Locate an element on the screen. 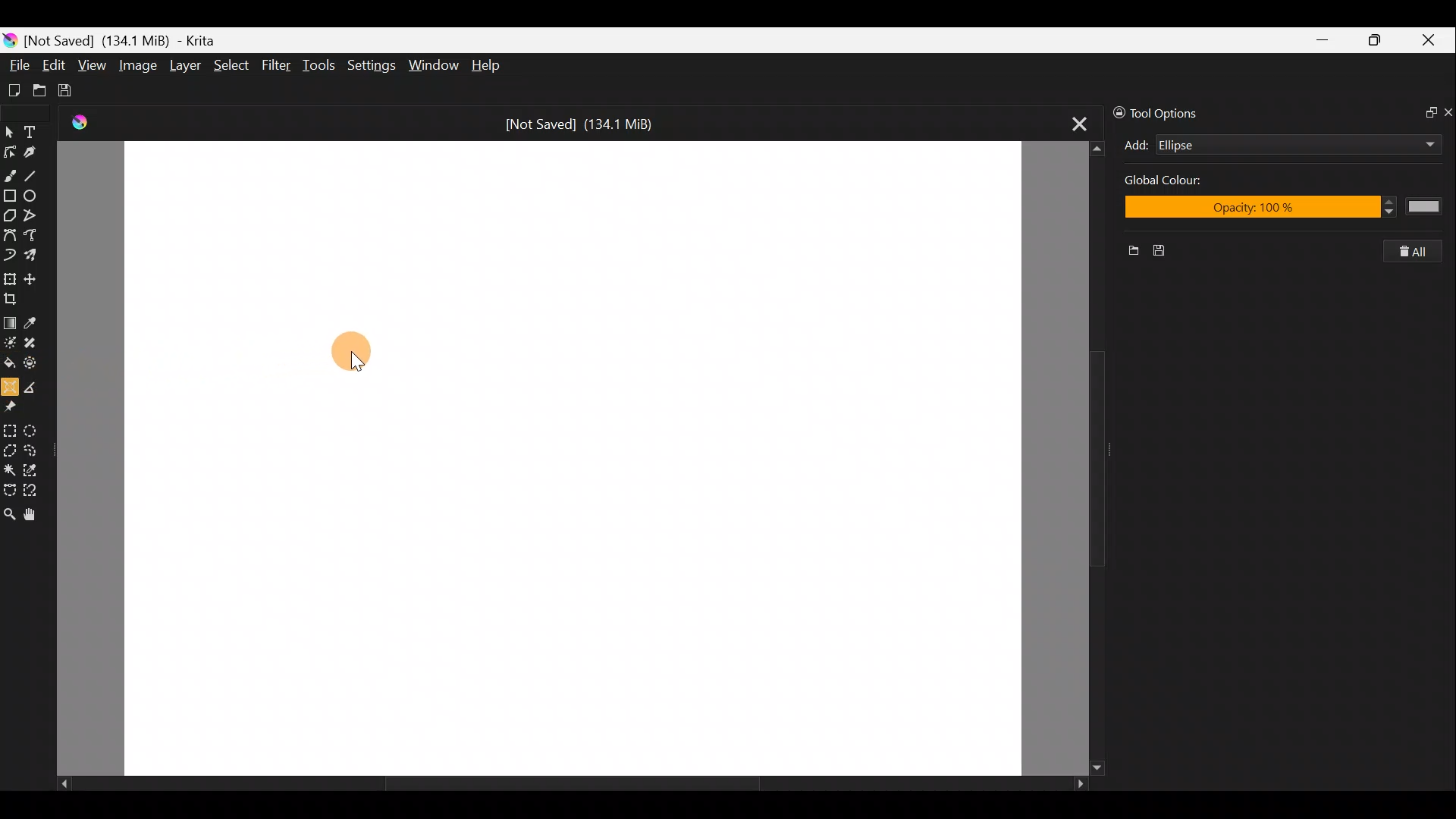 This screenshot has width=1456, height=819. Krita logo is located at coordinates (9, 39).